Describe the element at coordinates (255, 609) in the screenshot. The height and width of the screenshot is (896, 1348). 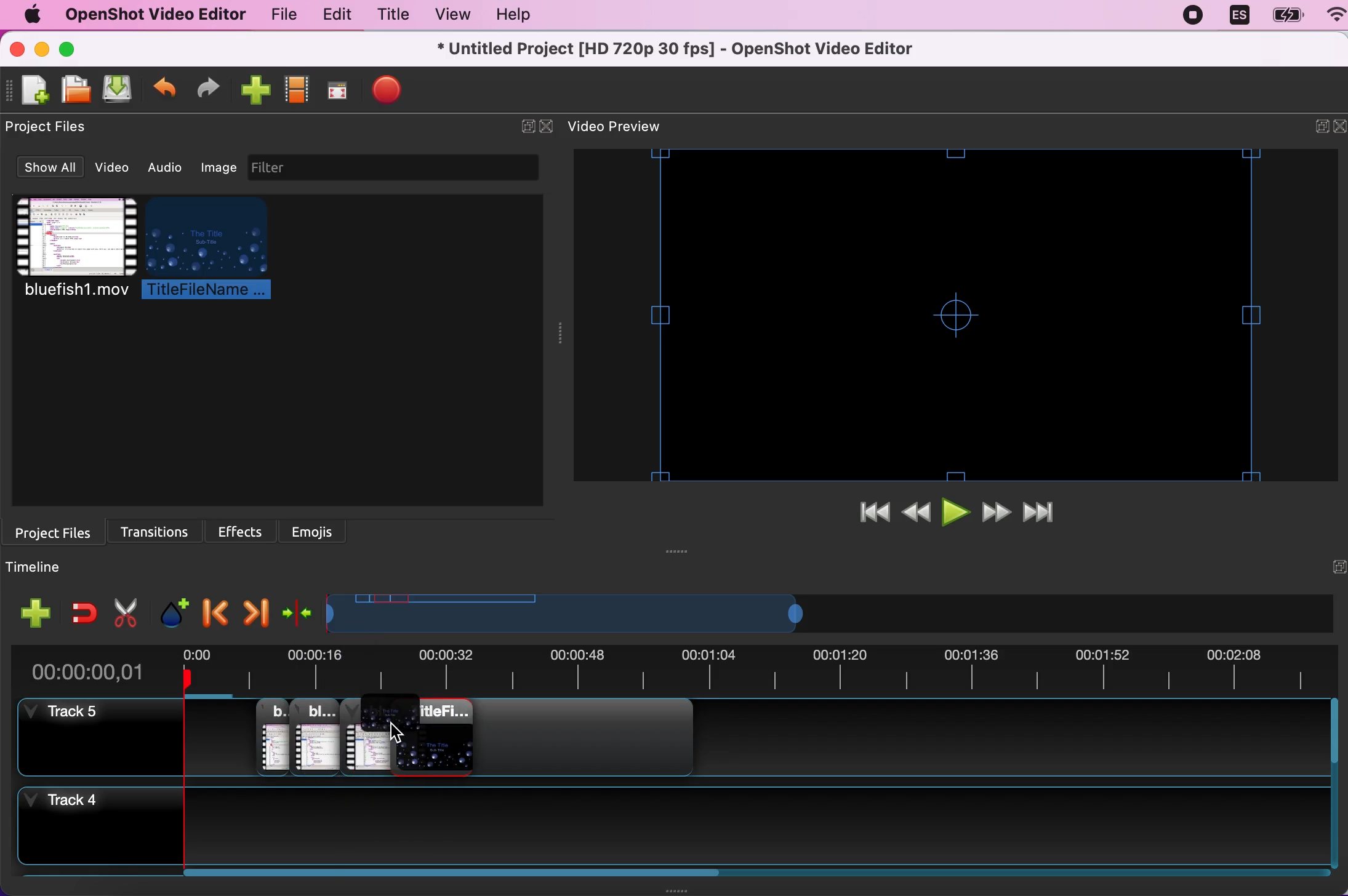
I see `next marker` at that location.